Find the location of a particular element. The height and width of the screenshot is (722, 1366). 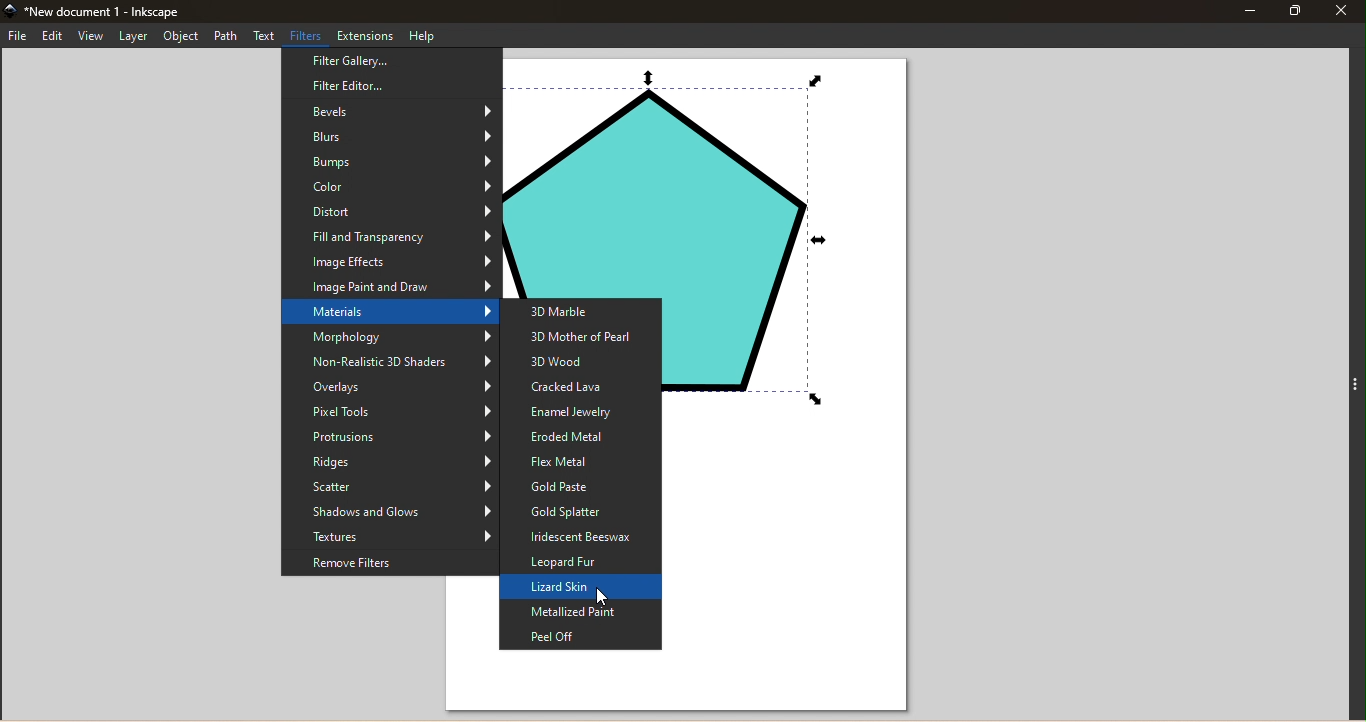

3D Mother of Pearl is located at coordinates (584, 335).